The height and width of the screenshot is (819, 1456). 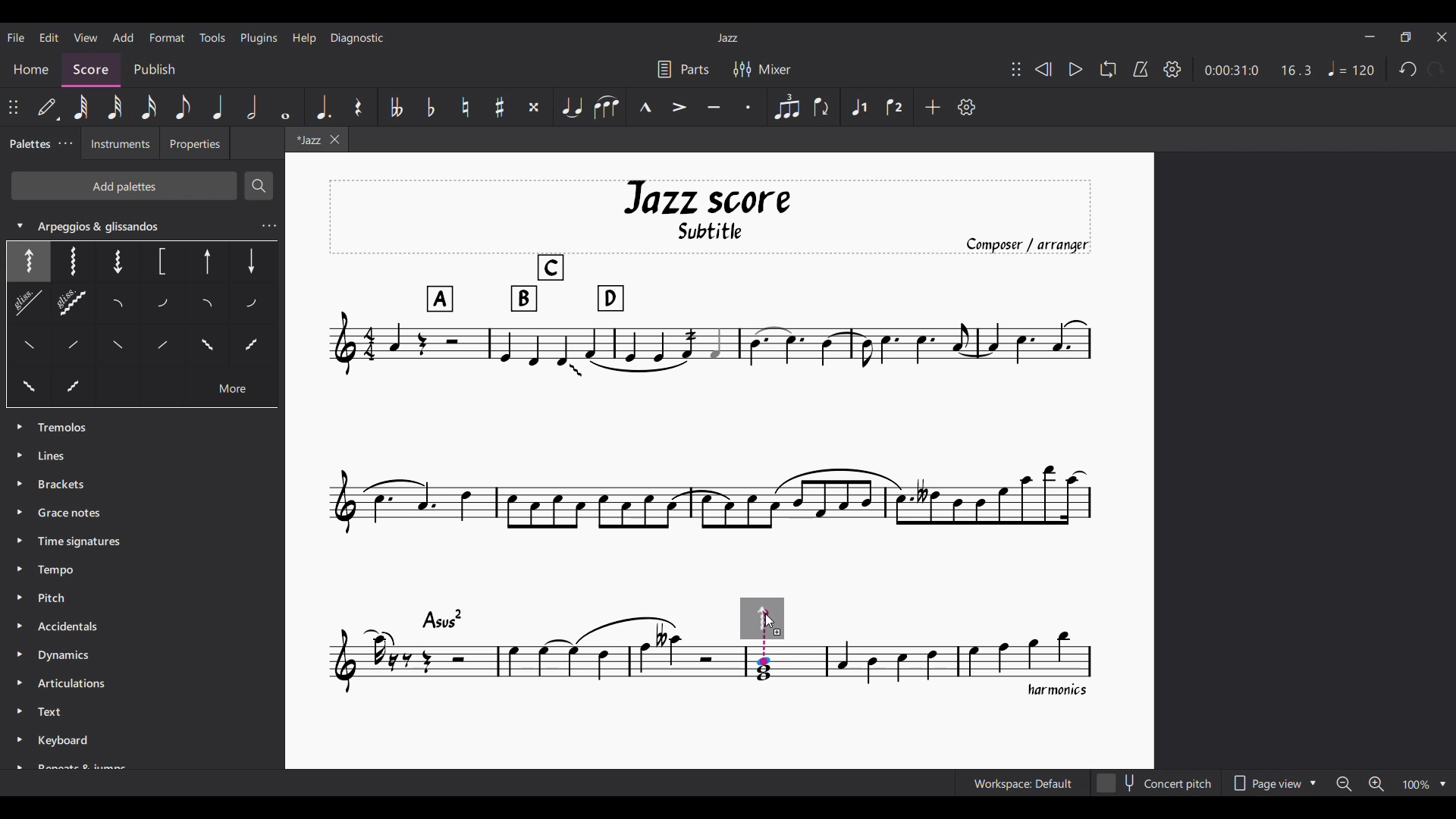 What do you see at coordinates (430, 108) in the screenshot?
I see `Toggle flat` at bounding box center [430, 108].